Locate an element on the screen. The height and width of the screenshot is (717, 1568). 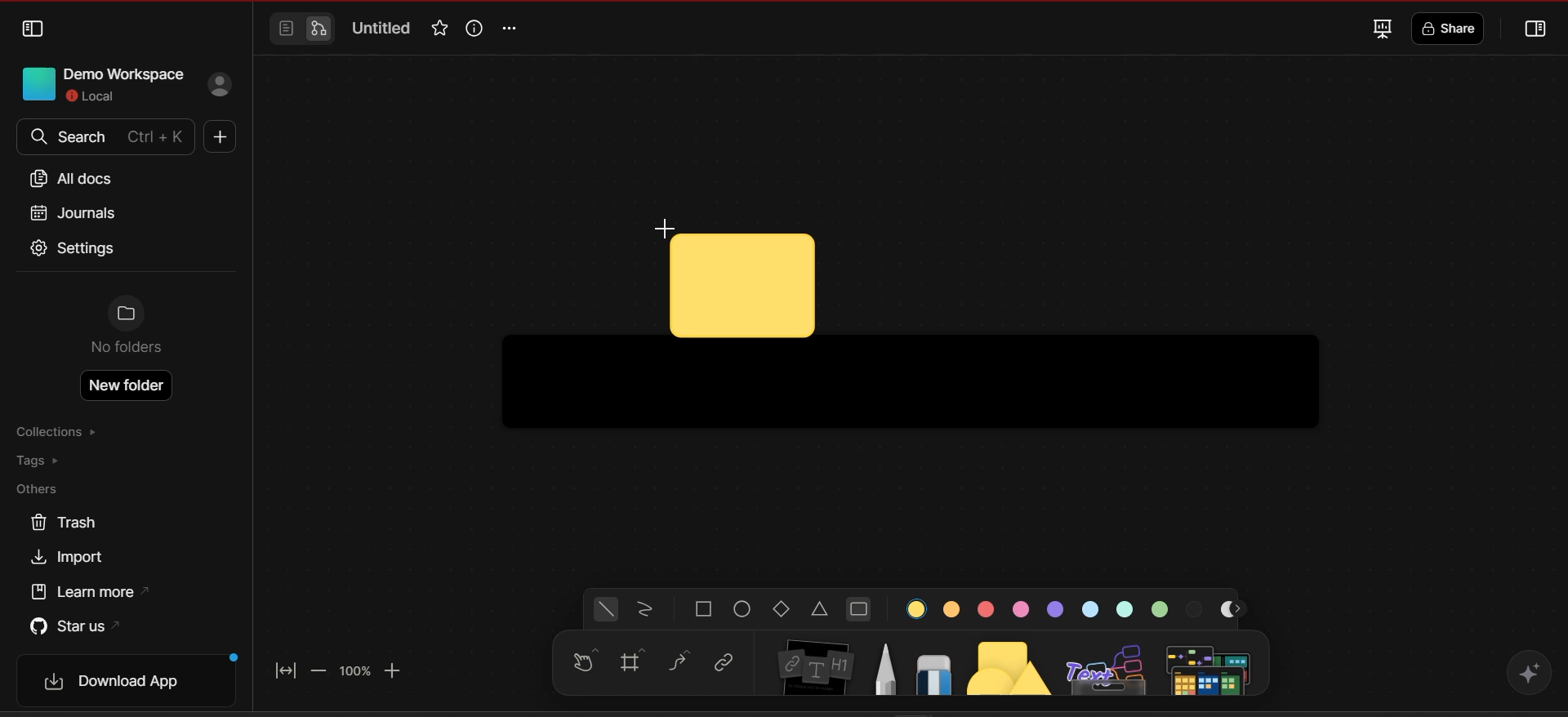
import is located at coordinates (73, 558).